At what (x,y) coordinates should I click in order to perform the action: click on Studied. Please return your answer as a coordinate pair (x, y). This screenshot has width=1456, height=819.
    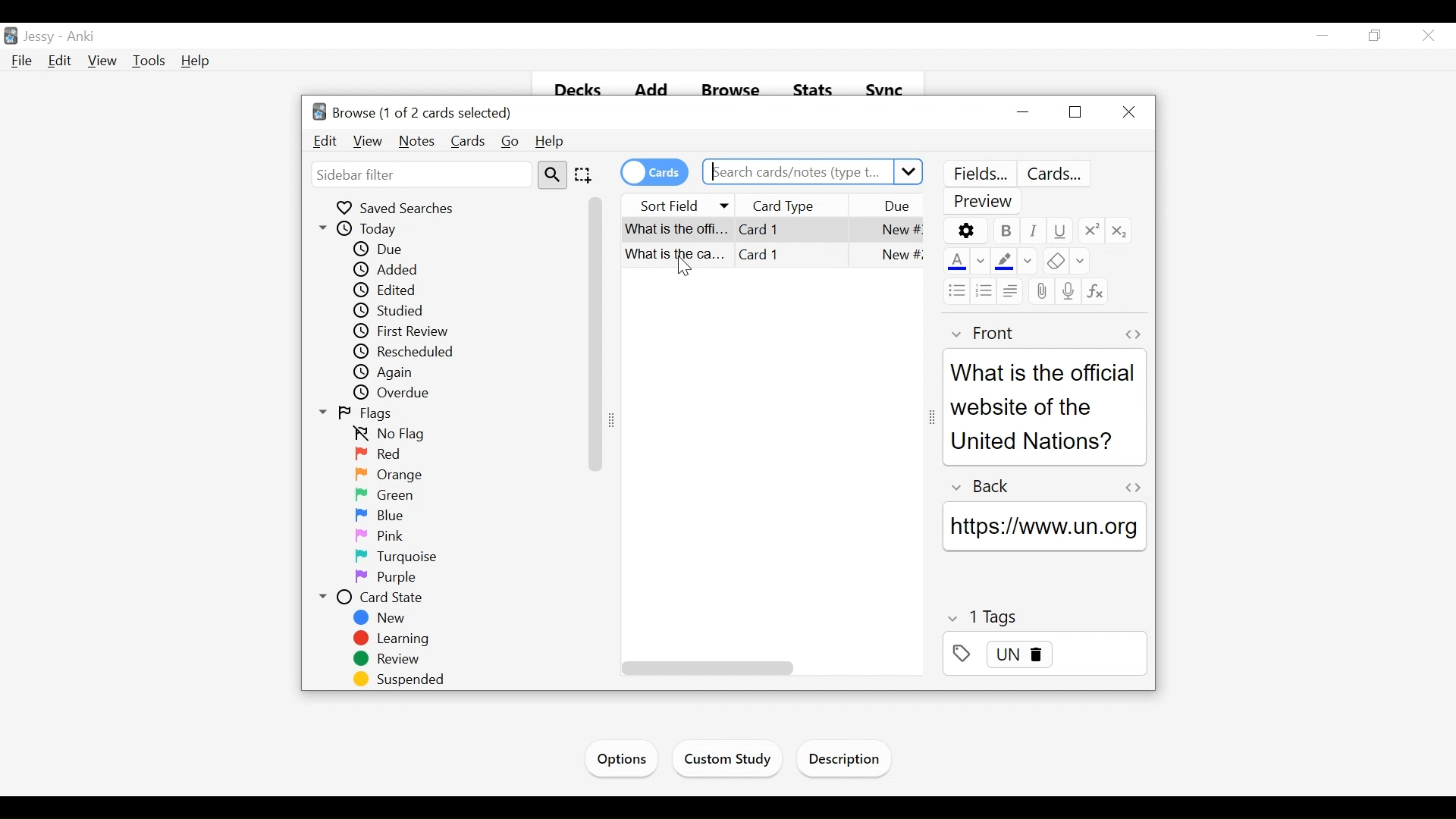
    Looking at the image, I should click on (406, 312).